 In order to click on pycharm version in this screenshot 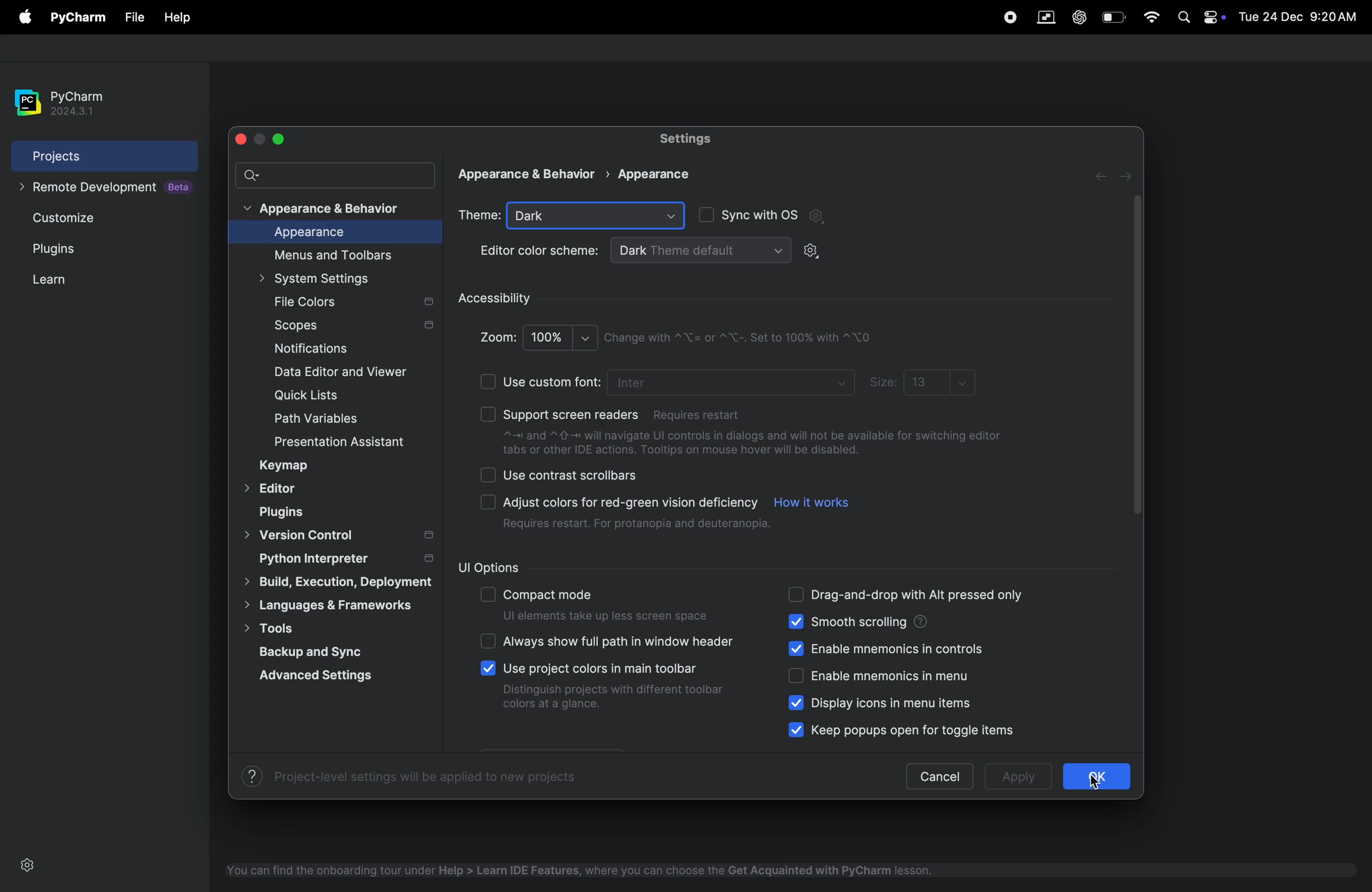, I will do `click(70, 103)`.